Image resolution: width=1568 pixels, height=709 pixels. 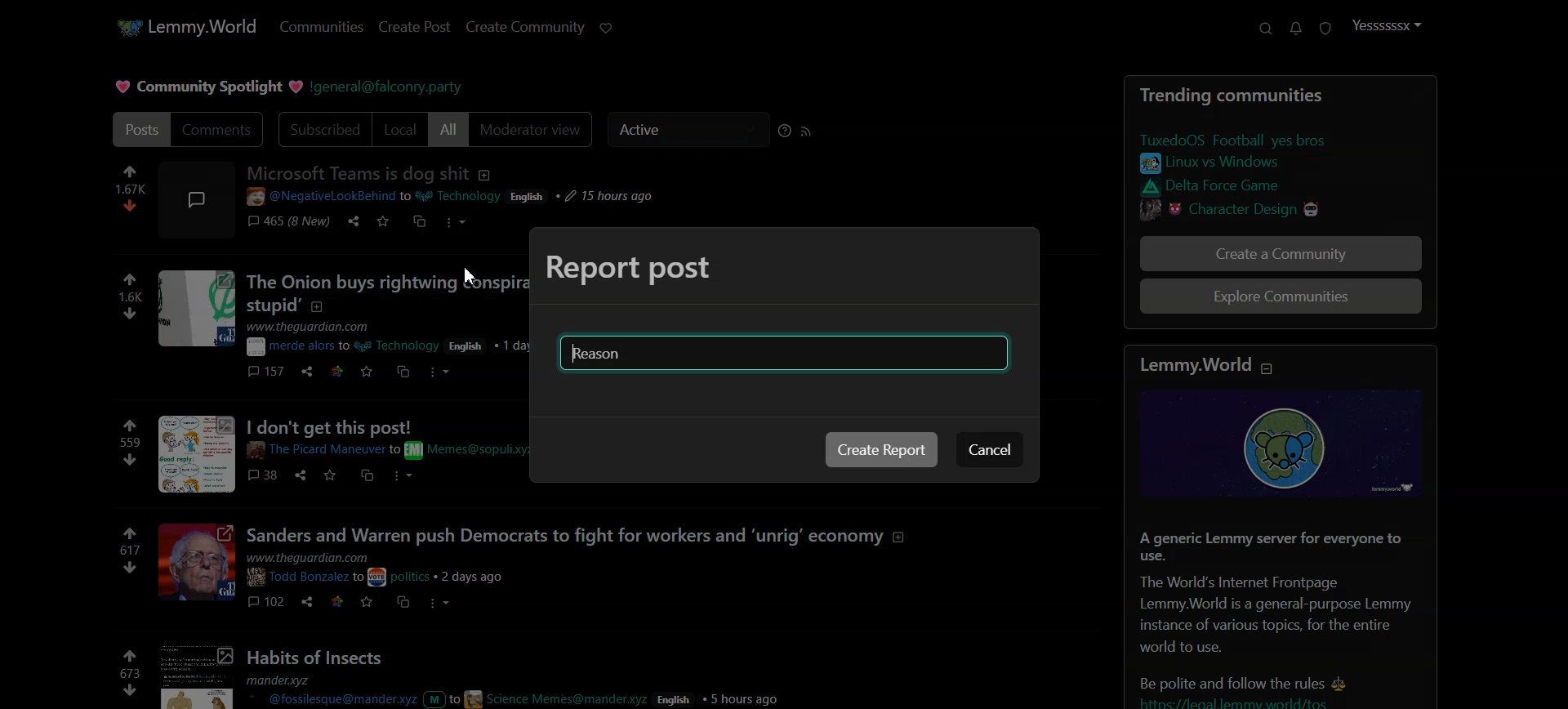 I want to click on dislike, so click(x=132, y=205).